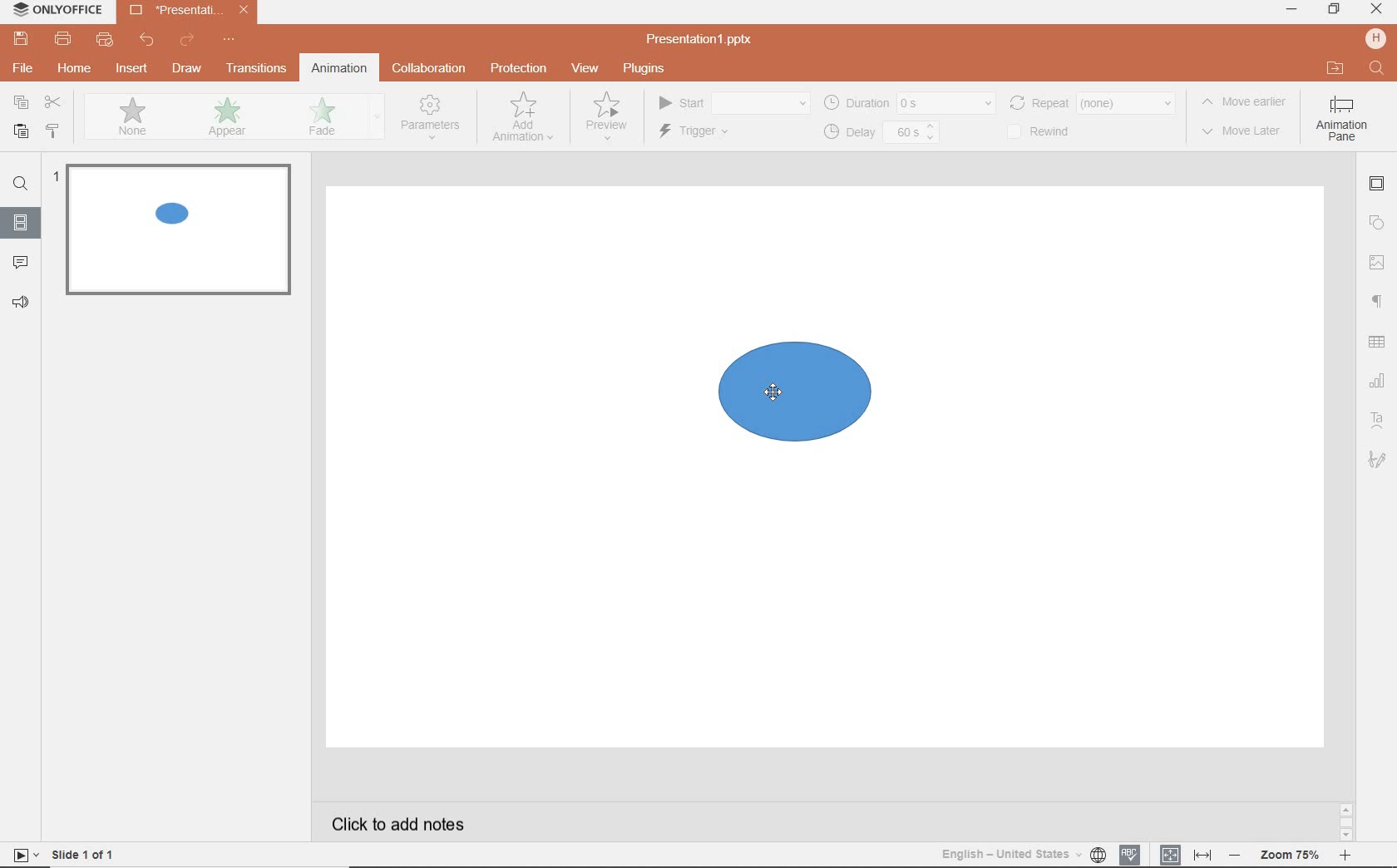 The image size is (1397, 868). I want to click on undo, so click(148, 42).